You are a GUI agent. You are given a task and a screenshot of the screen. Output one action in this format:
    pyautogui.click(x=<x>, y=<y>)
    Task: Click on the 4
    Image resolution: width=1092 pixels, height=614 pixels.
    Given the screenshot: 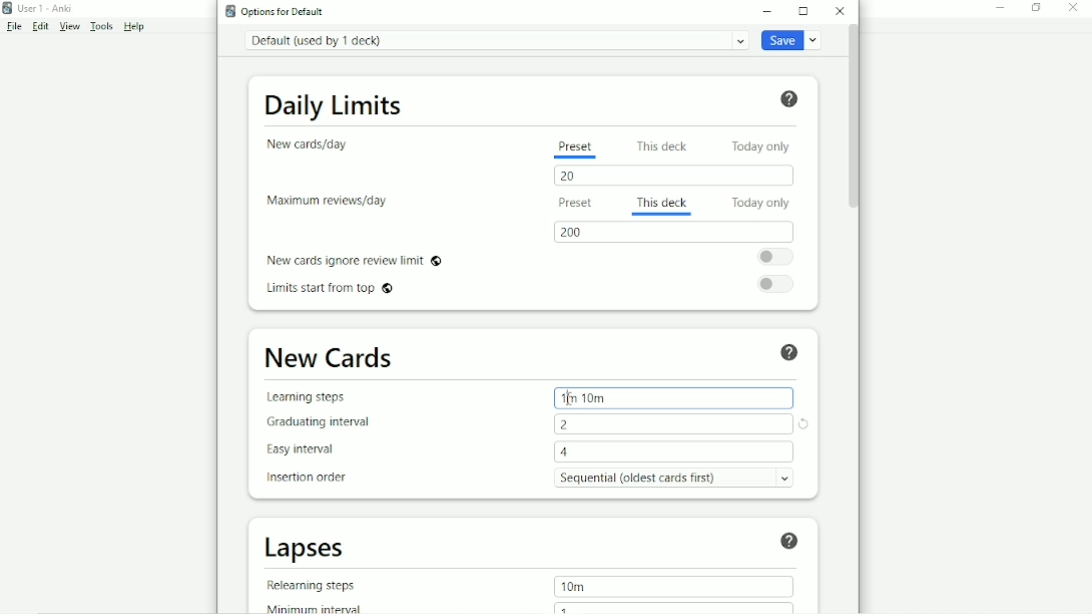 What is the action you would take?
    pyautogui.click(x=564, y=452)
    